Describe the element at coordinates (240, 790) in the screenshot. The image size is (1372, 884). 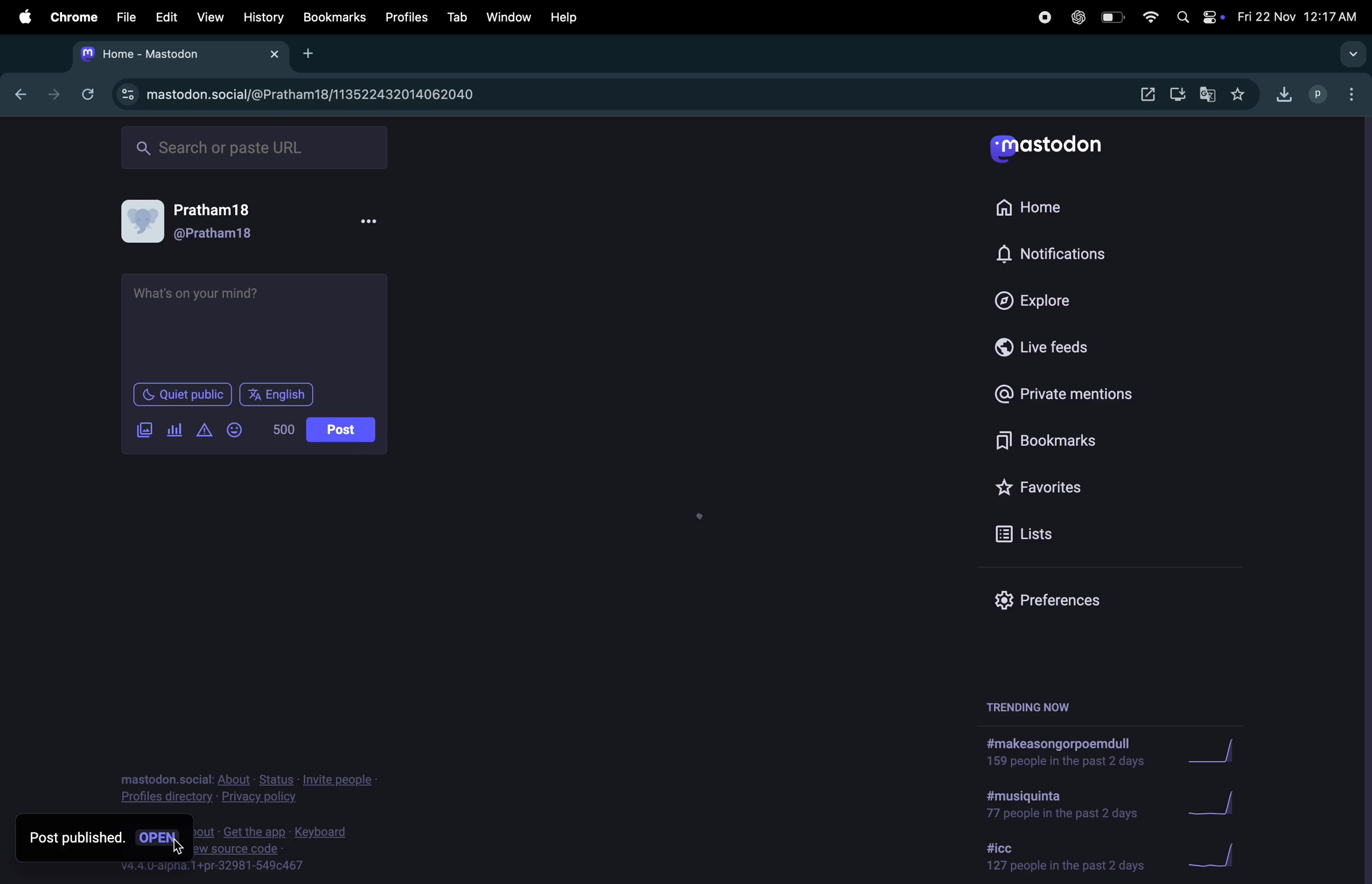
I see `privacy policy` at that location.